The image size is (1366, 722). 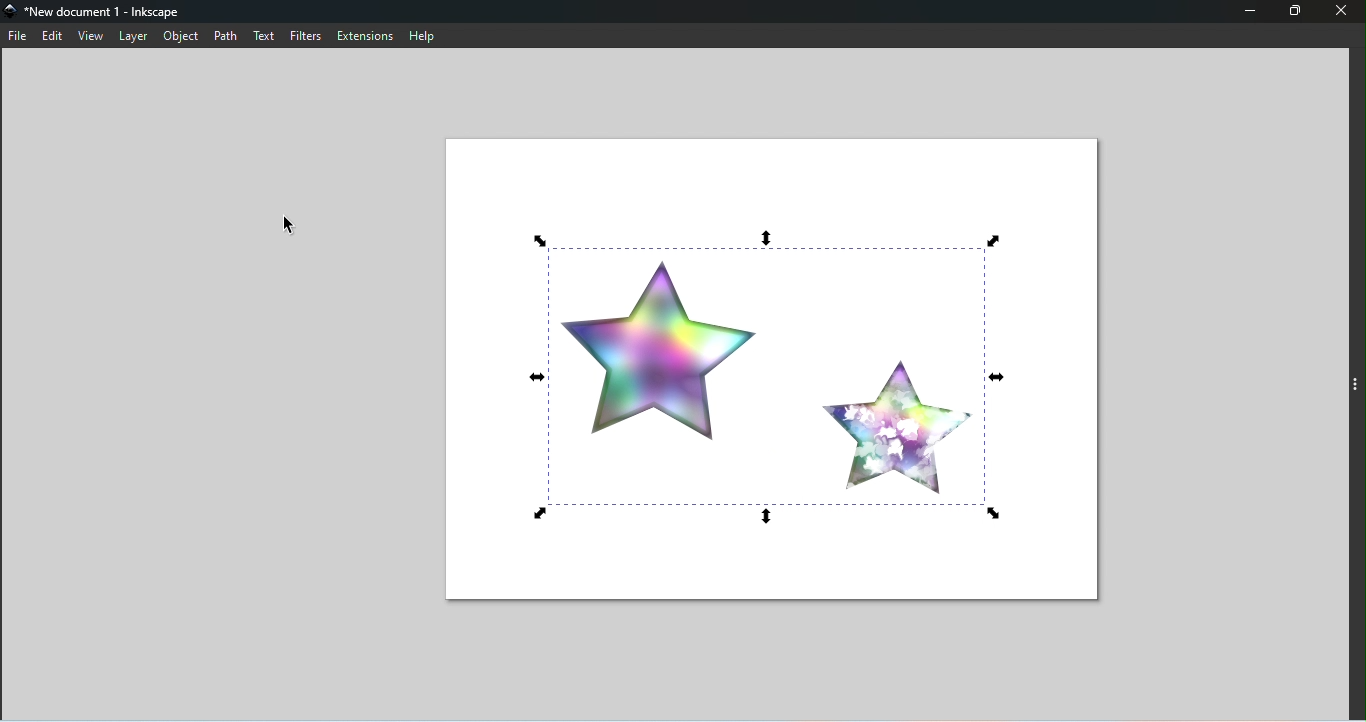 I want to click on Edit, so click(x=54, y=35).